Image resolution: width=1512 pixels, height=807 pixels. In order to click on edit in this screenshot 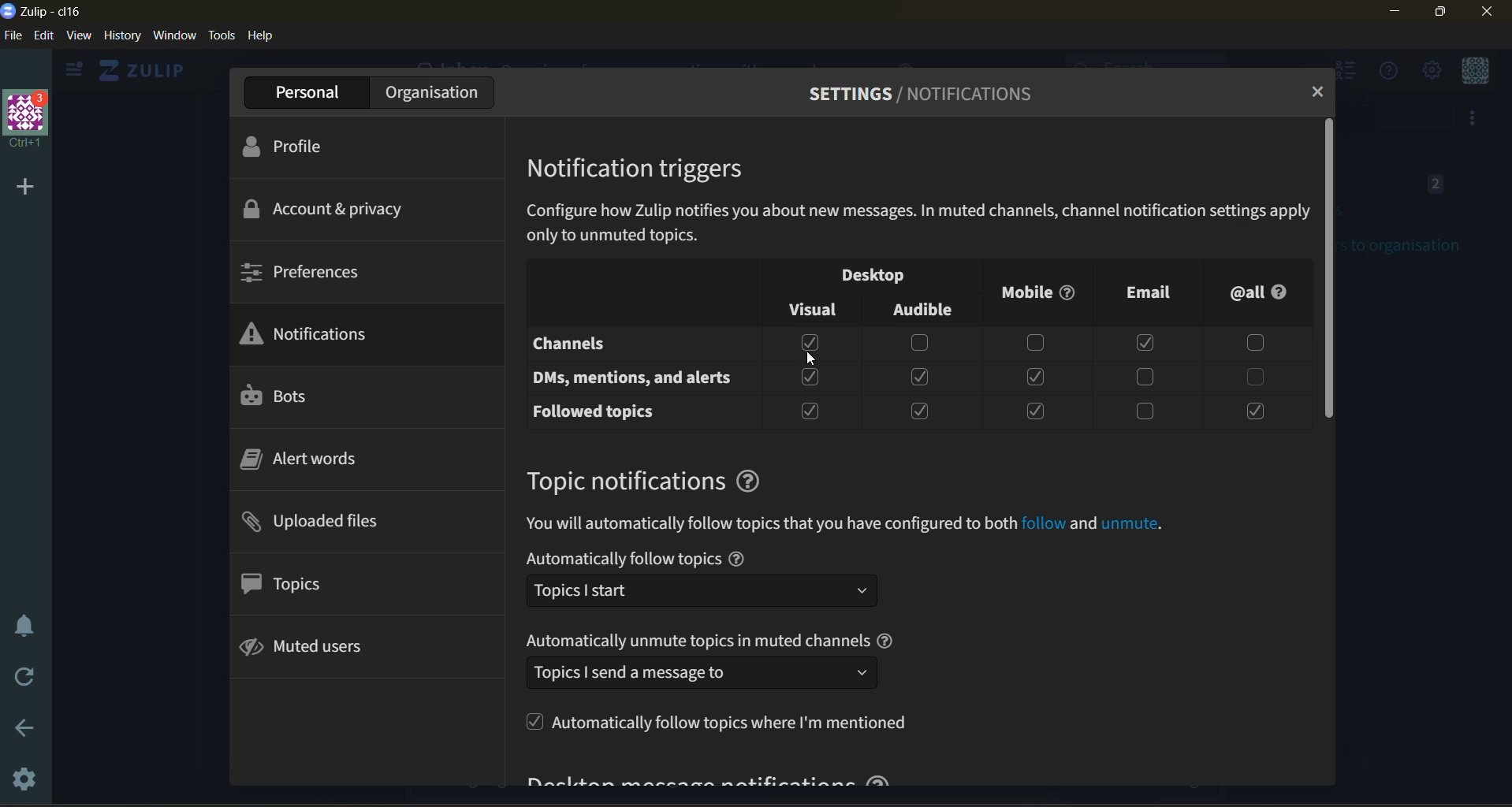, I will do `click(42, 35)`.